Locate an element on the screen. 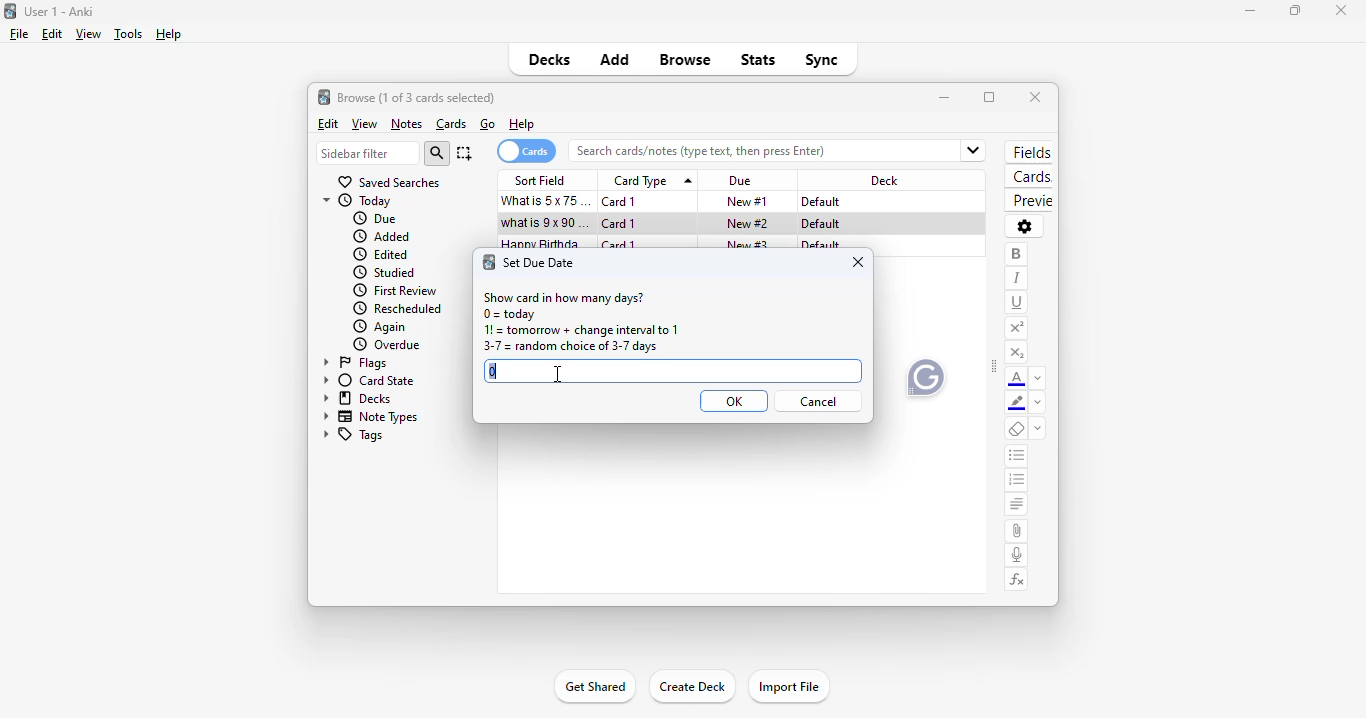 The image size is (1366, 718). fields is located at coordinates (1029, 152).